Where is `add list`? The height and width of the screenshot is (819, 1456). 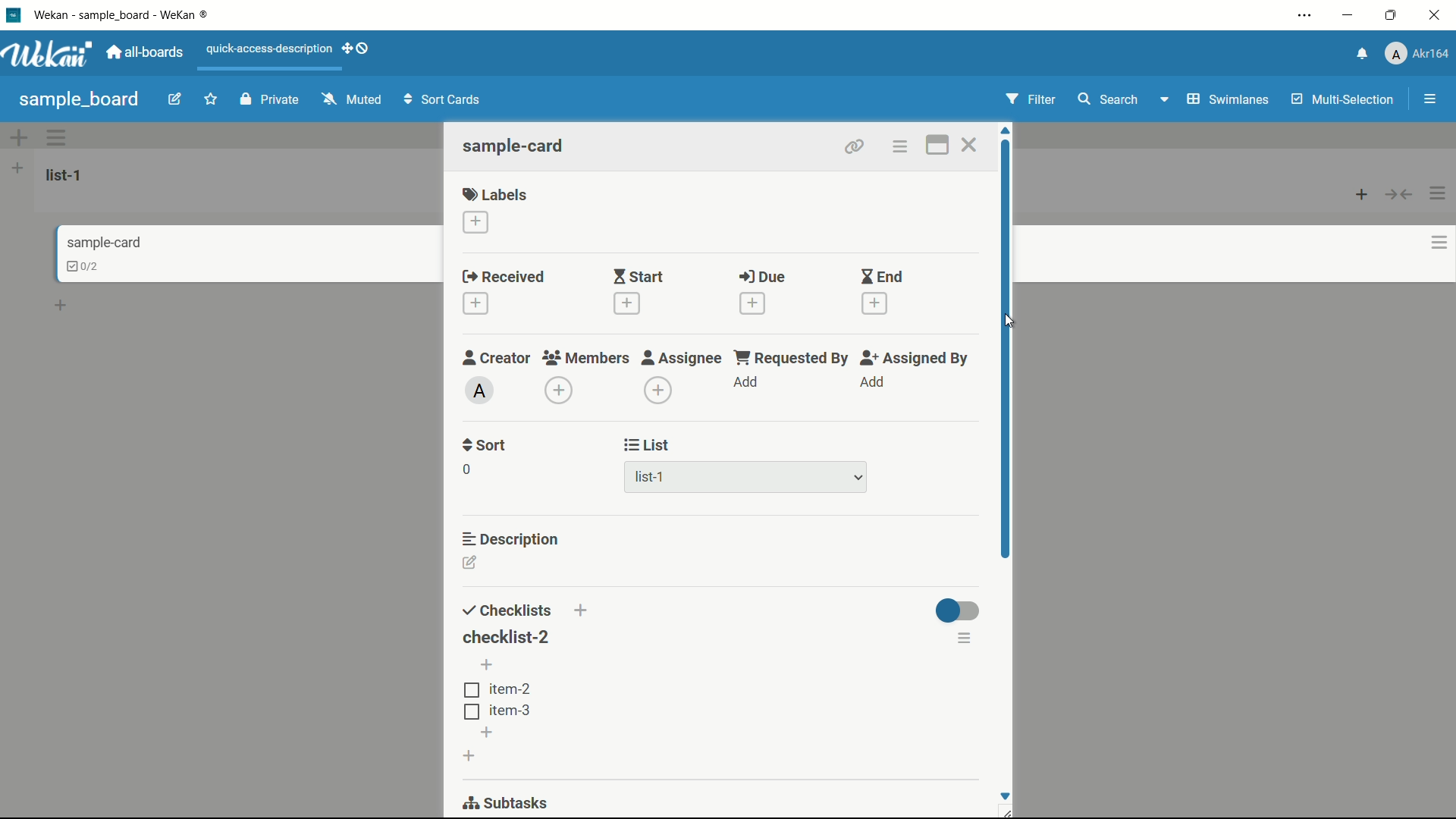 add list is located at coordinates (17, 168).